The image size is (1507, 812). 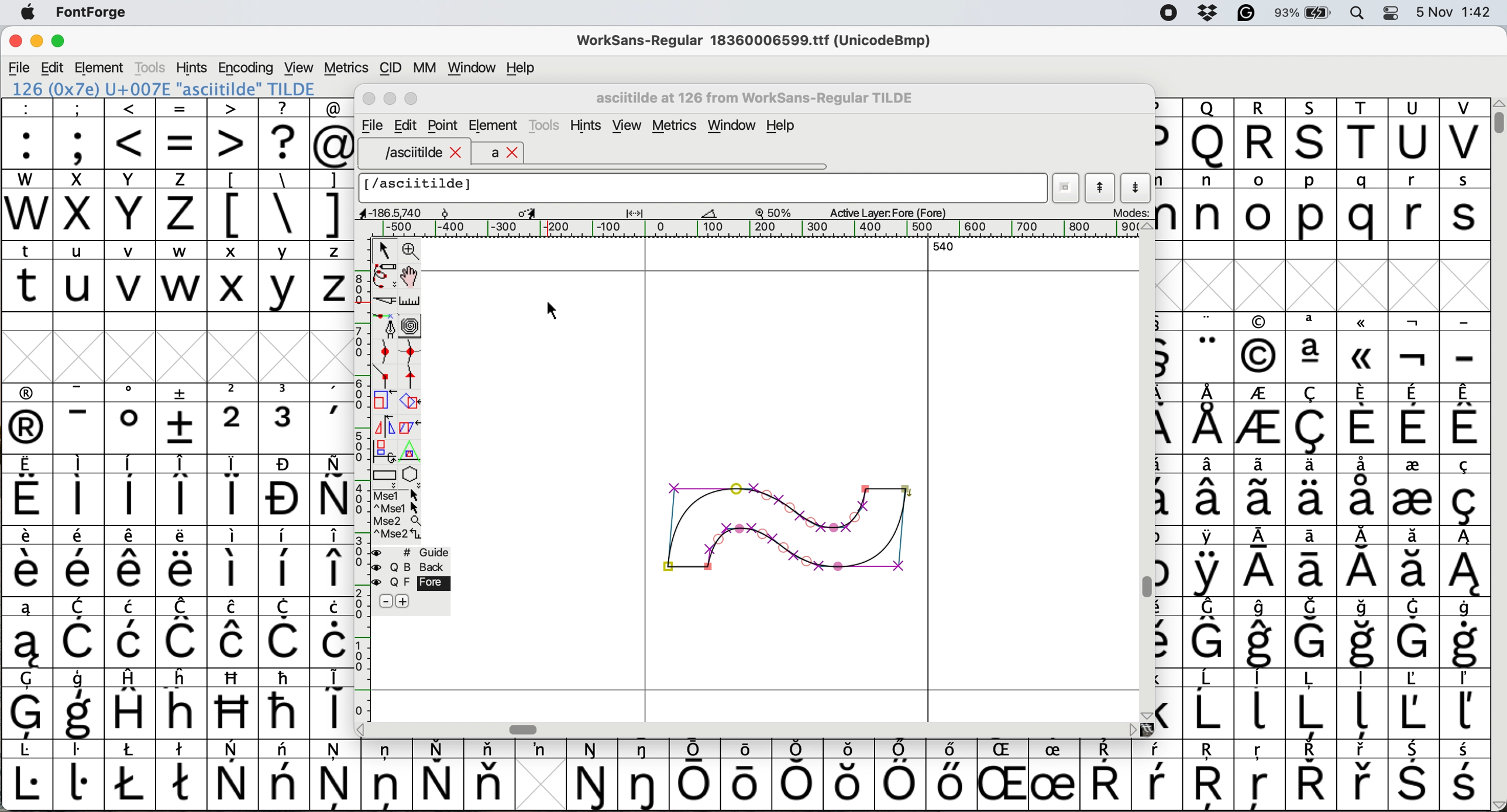 What do you see at coordinates (1260, 134) in the screenshot?
I see `R` at bounding box center [1260, 134].